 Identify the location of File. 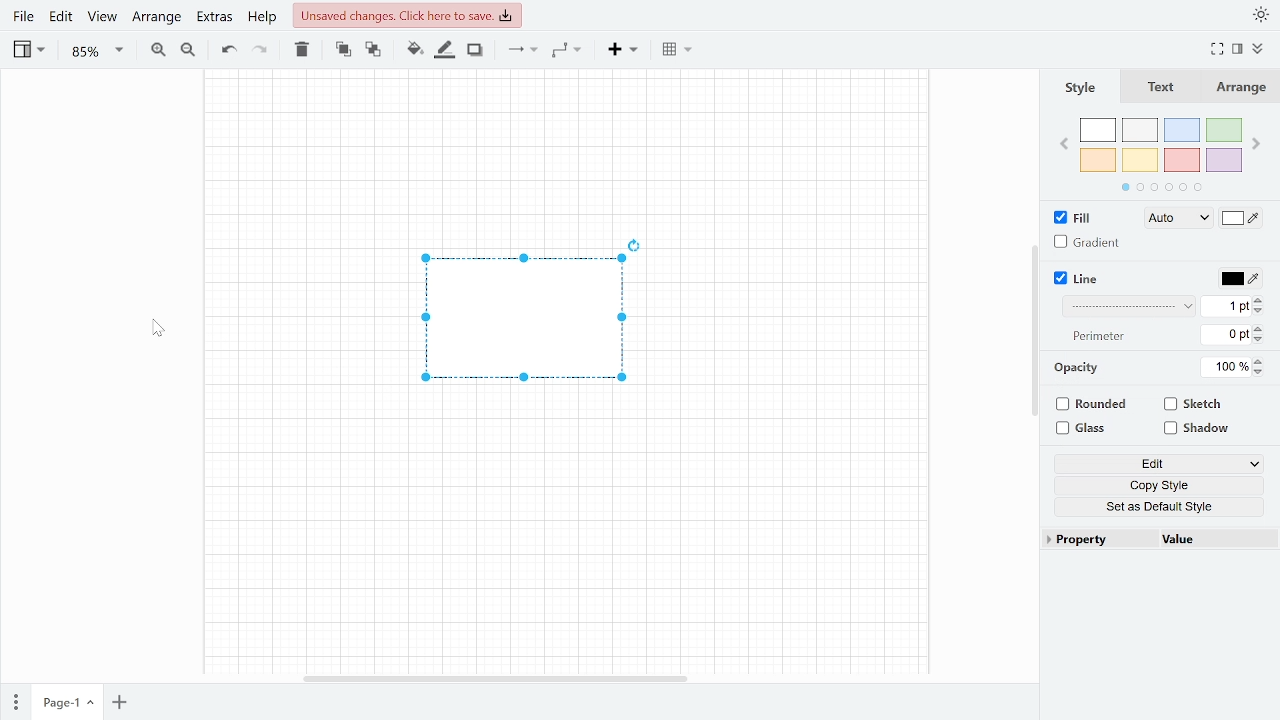
(24, 19).